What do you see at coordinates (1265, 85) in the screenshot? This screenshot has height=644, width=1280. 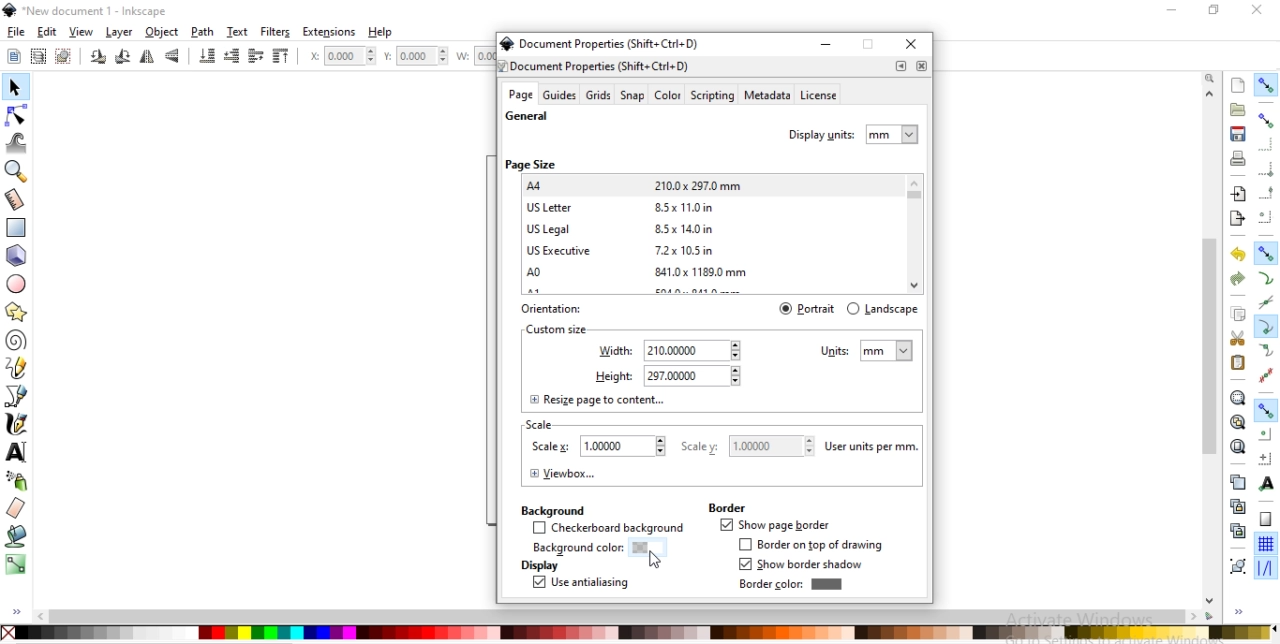 I see `enable snapping` at bounding box center [1265, 85].